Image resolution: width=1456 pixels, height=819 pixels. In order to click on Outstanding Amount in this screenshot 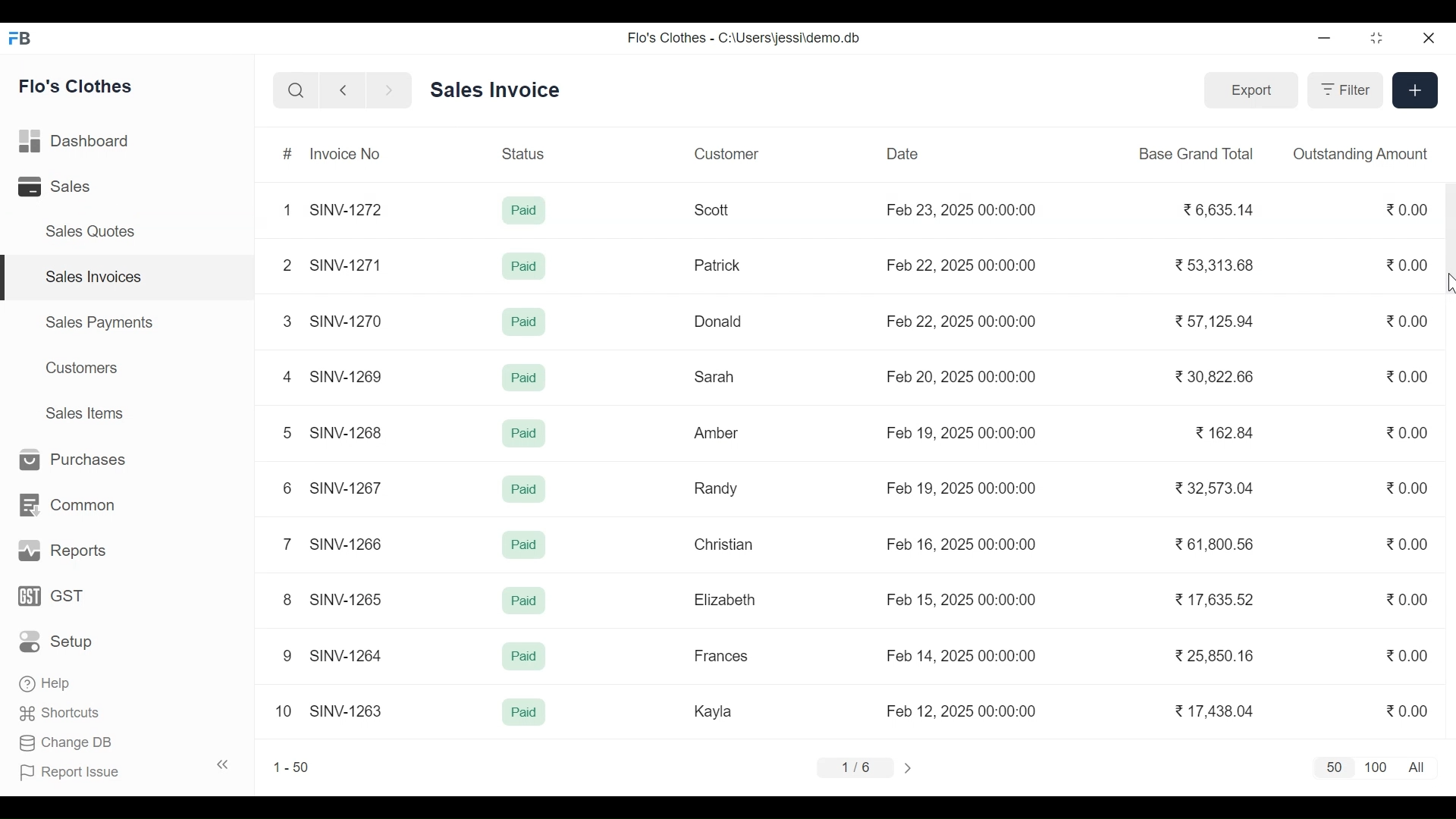, I will do `click(1360, 153)`.